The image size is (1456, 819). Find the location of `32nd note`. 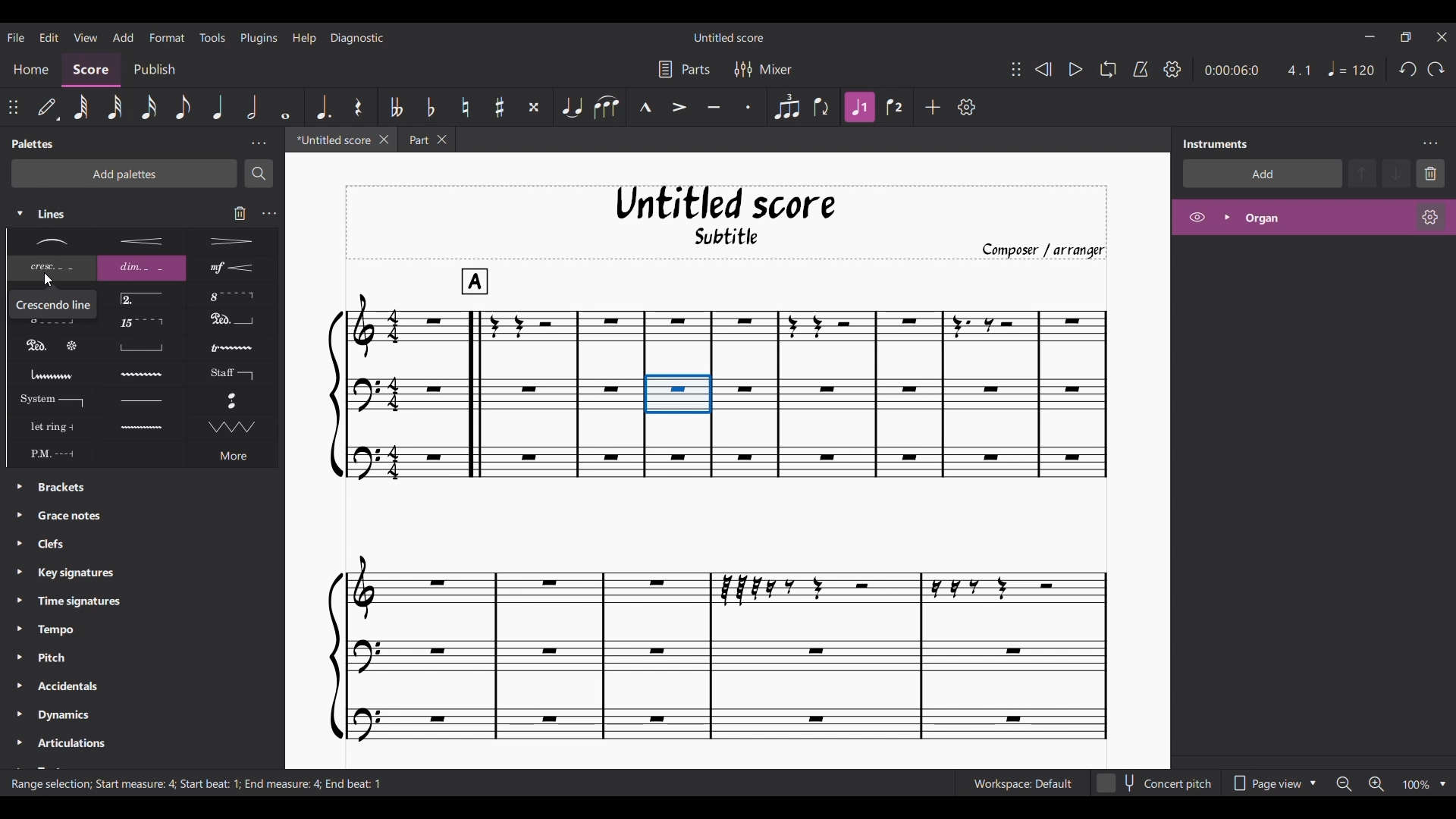

32nd note is located at coordinates (115, 108).